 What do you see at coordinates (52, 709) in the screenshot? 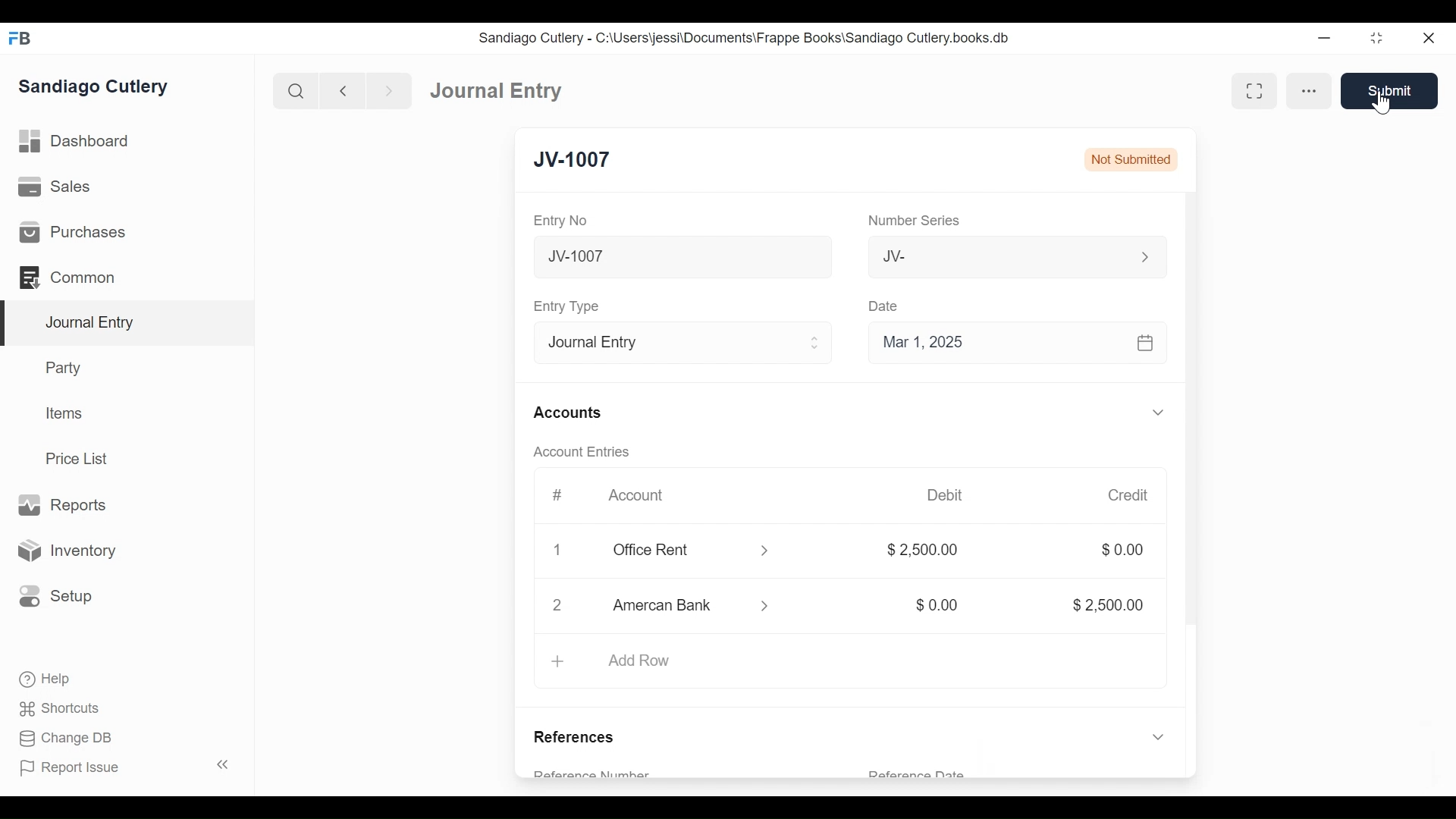
I see `Shortcuts` at bounding box center [52, 709].